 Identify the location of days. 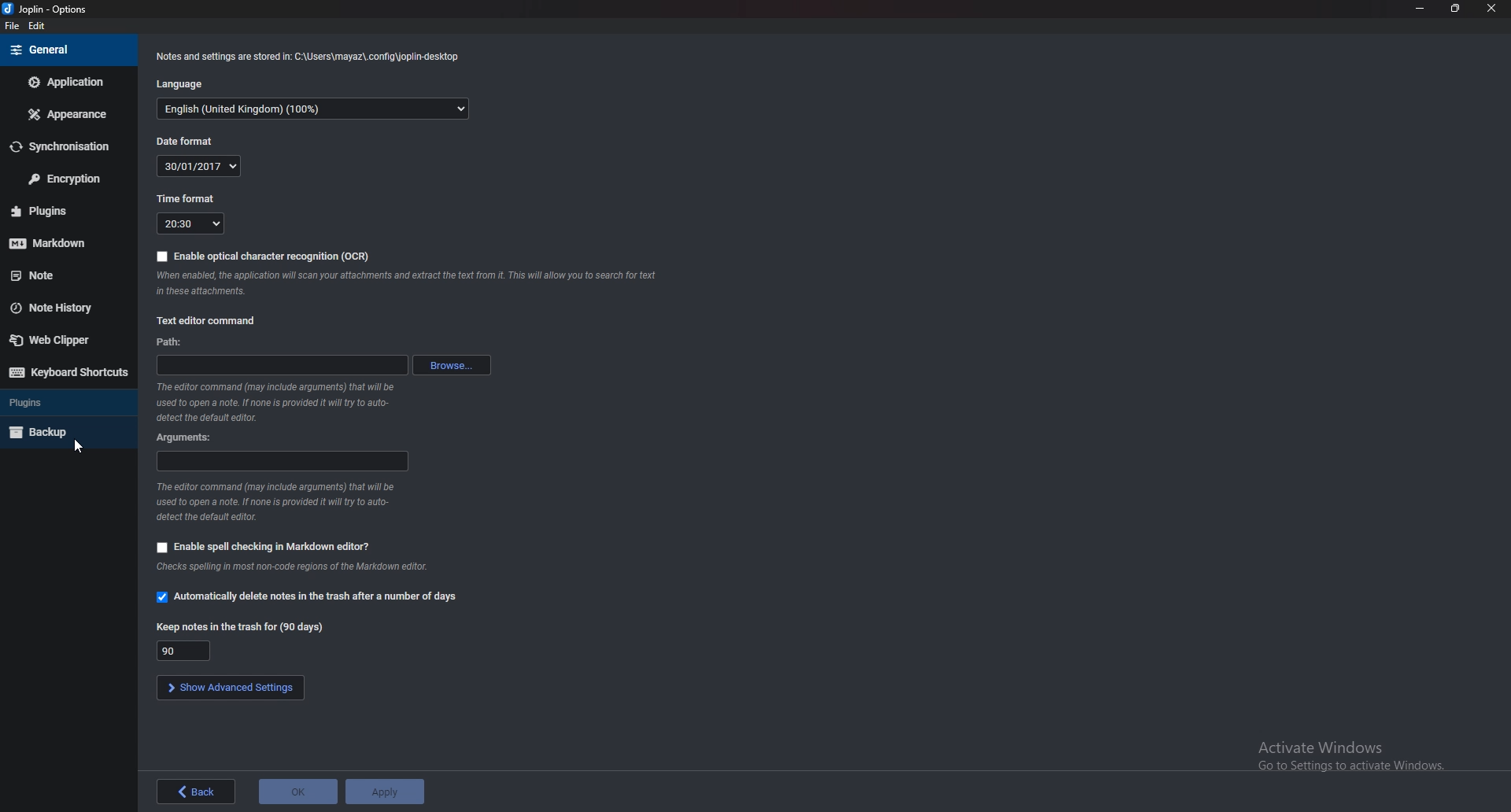
(185, 651).